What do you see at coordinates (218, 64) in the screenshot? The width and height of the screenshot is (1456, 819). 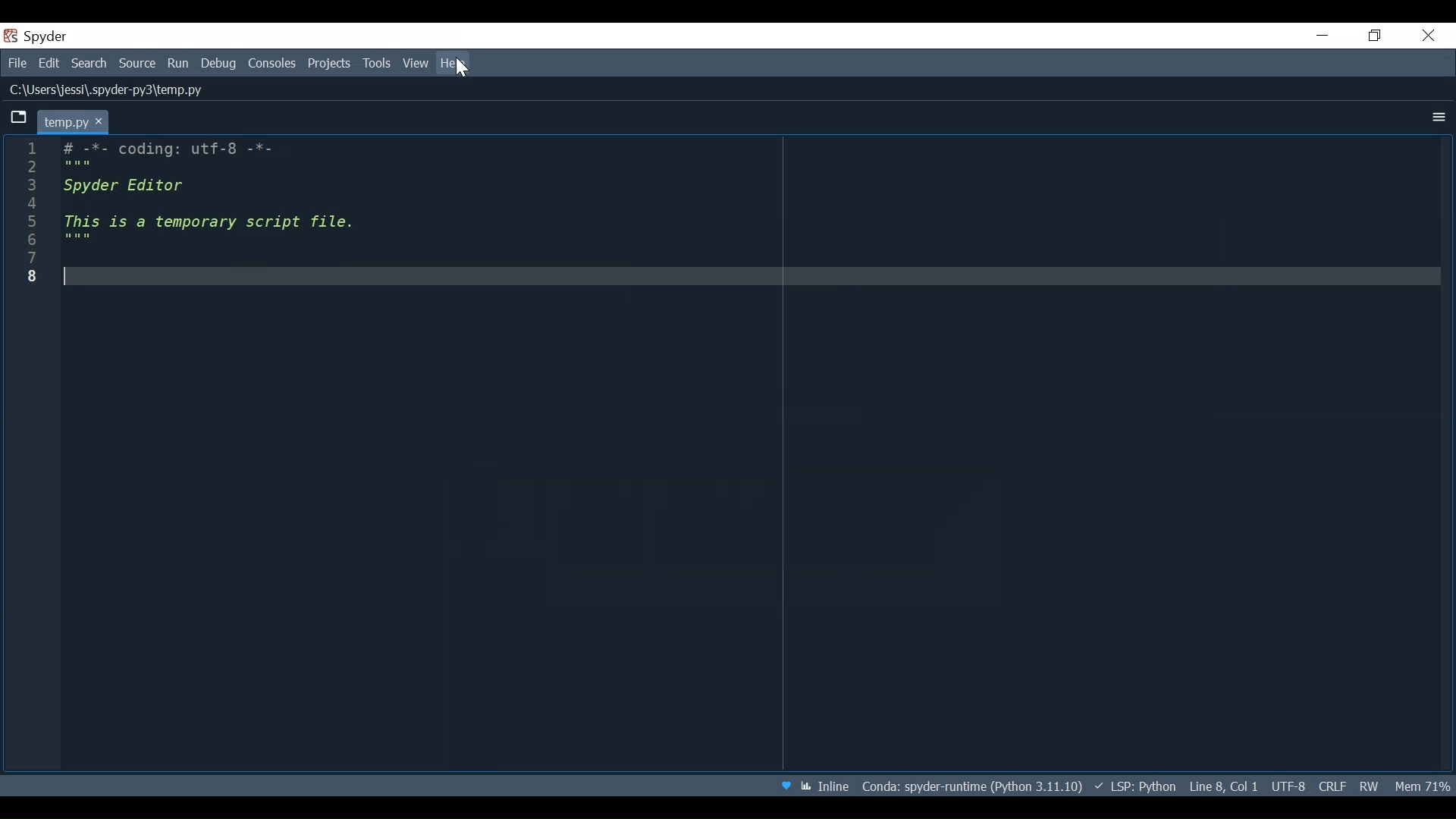 I see `Debug` at bounding box center [218, 64].